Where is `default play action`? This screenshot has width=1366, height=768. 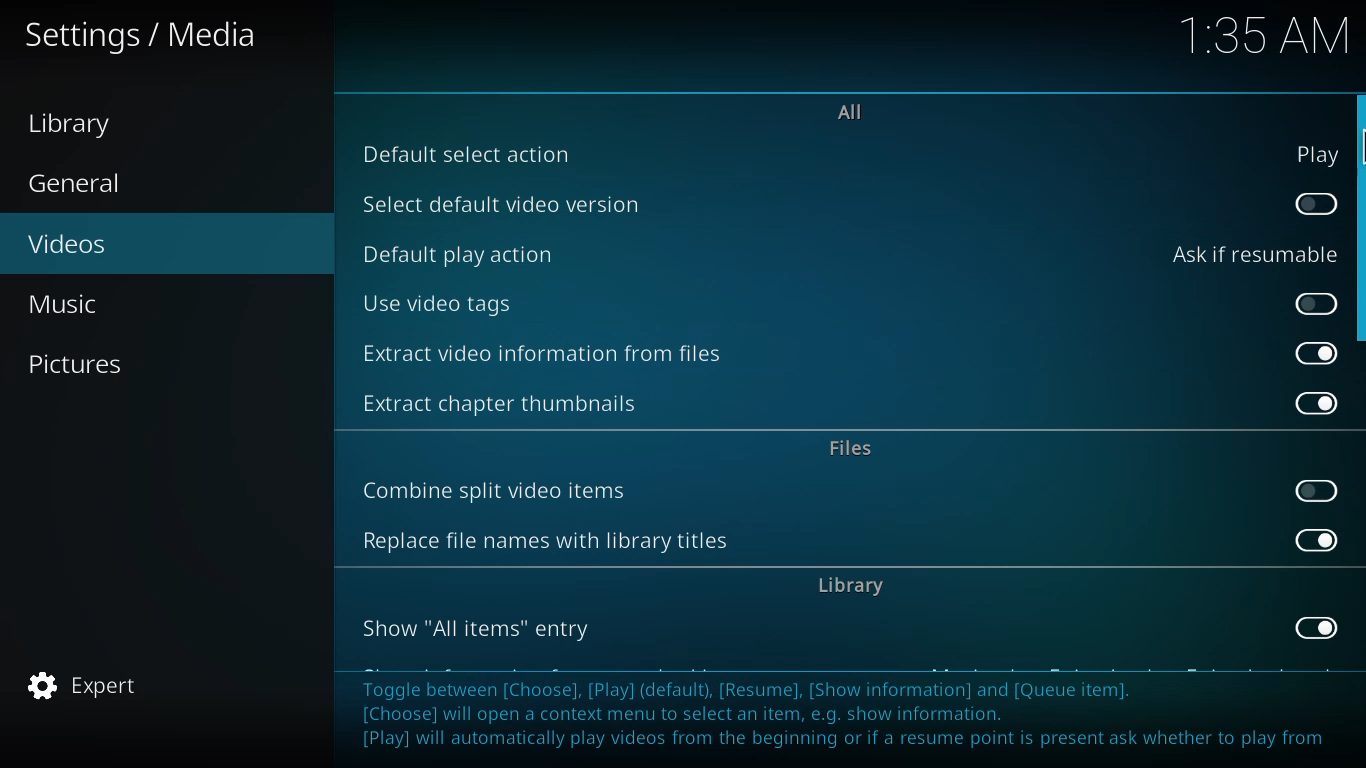
default play action is located at coordinates (460, 253).